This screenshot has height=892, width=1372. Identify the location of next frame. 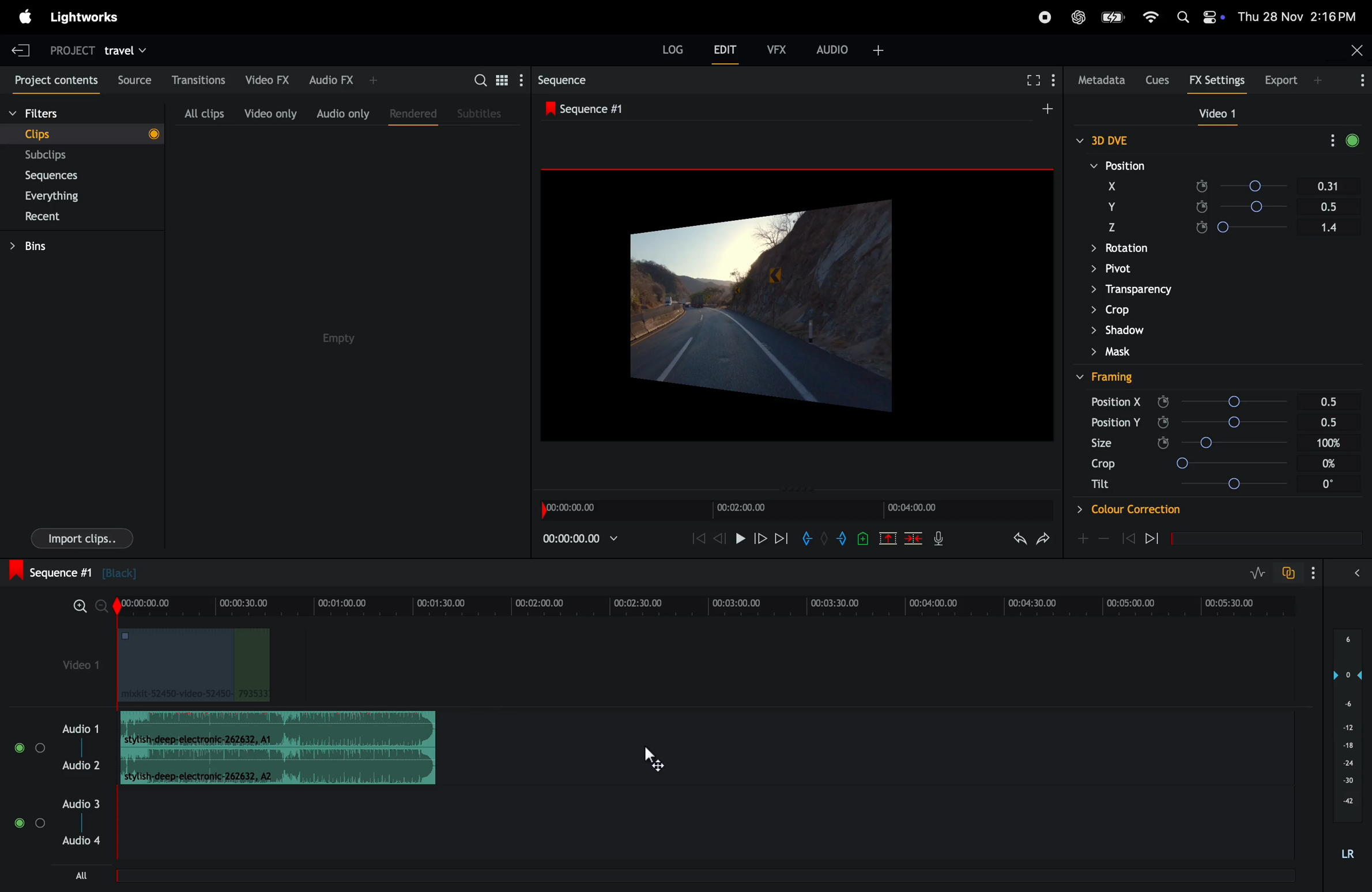
(759, 538).